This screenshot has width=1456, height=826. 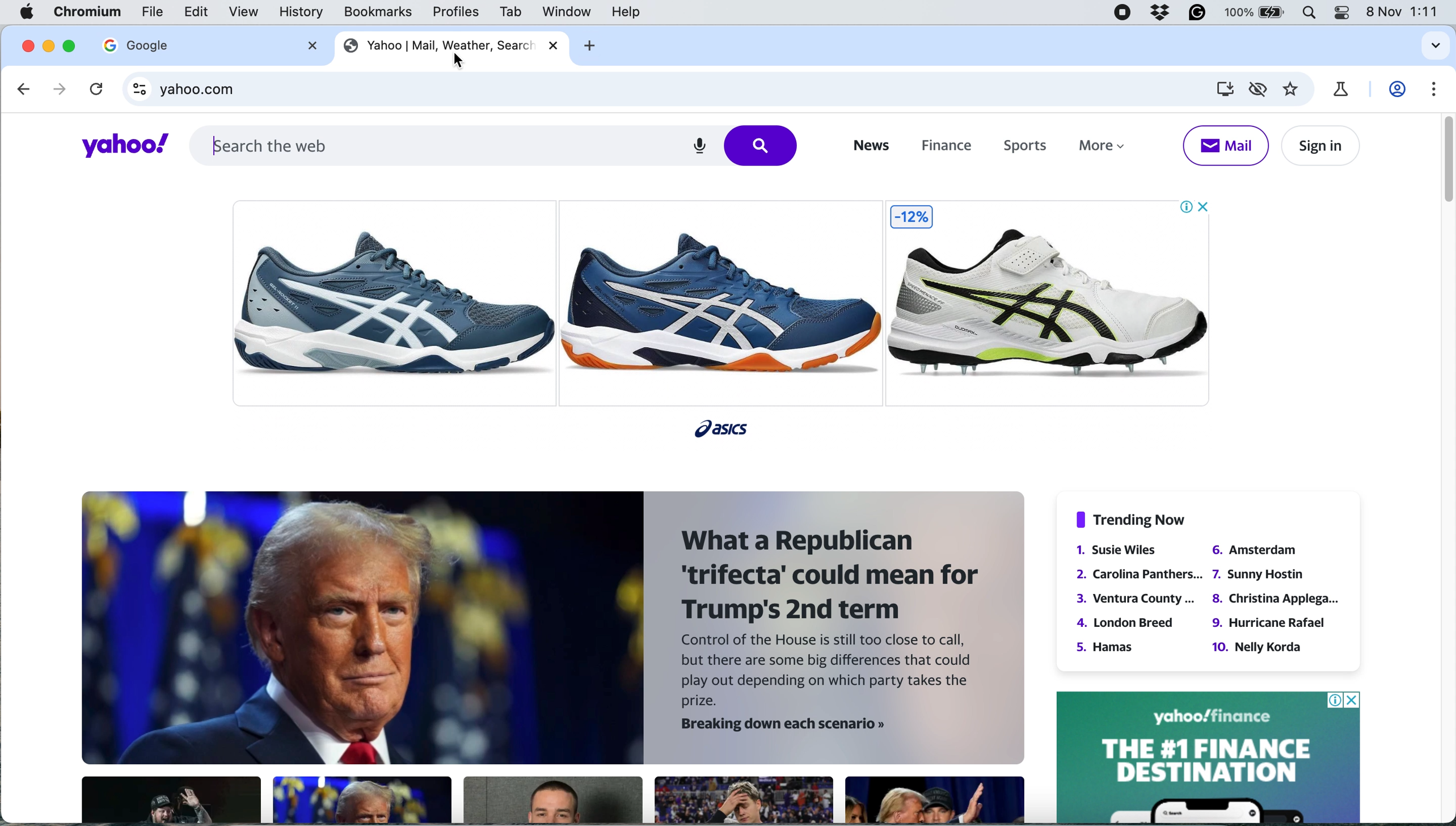 I want to click on system logo, so click(x=28, y=12).